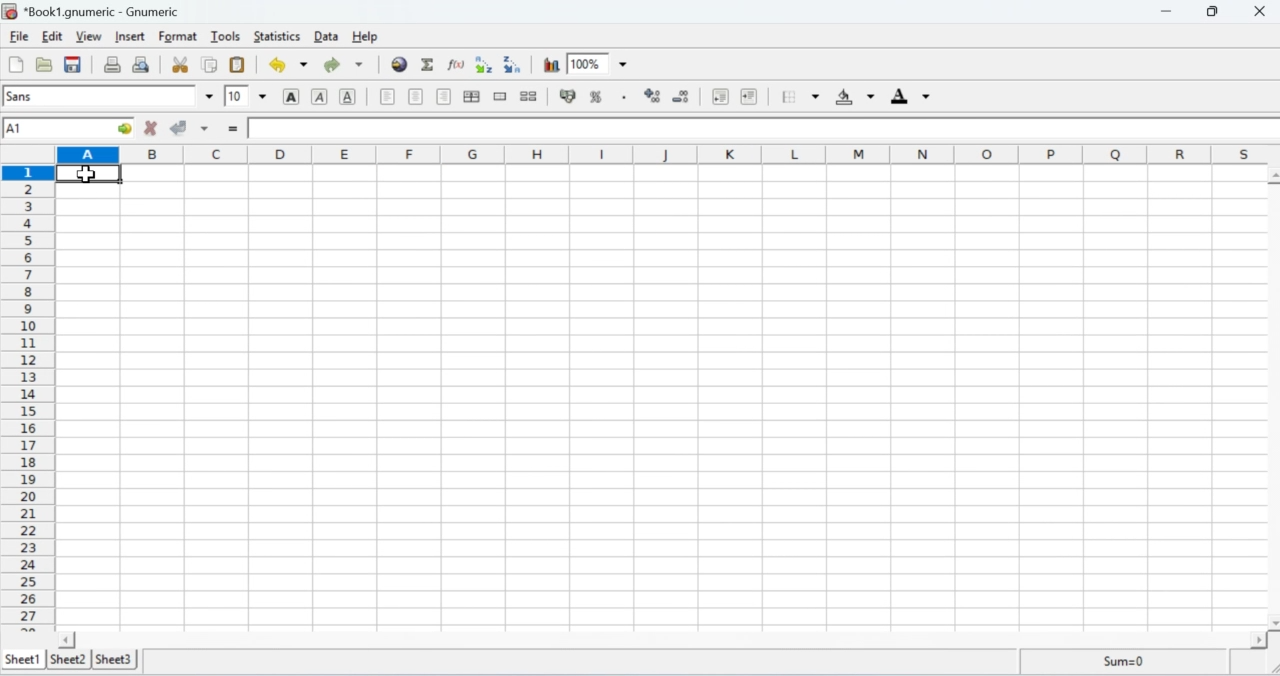 Image resolution: width=1280 pixels, height=676 pixels. What do you see at coordinates (600, 63) in the screenshot?
I see `Zoom` at bounding box center [600, 63].